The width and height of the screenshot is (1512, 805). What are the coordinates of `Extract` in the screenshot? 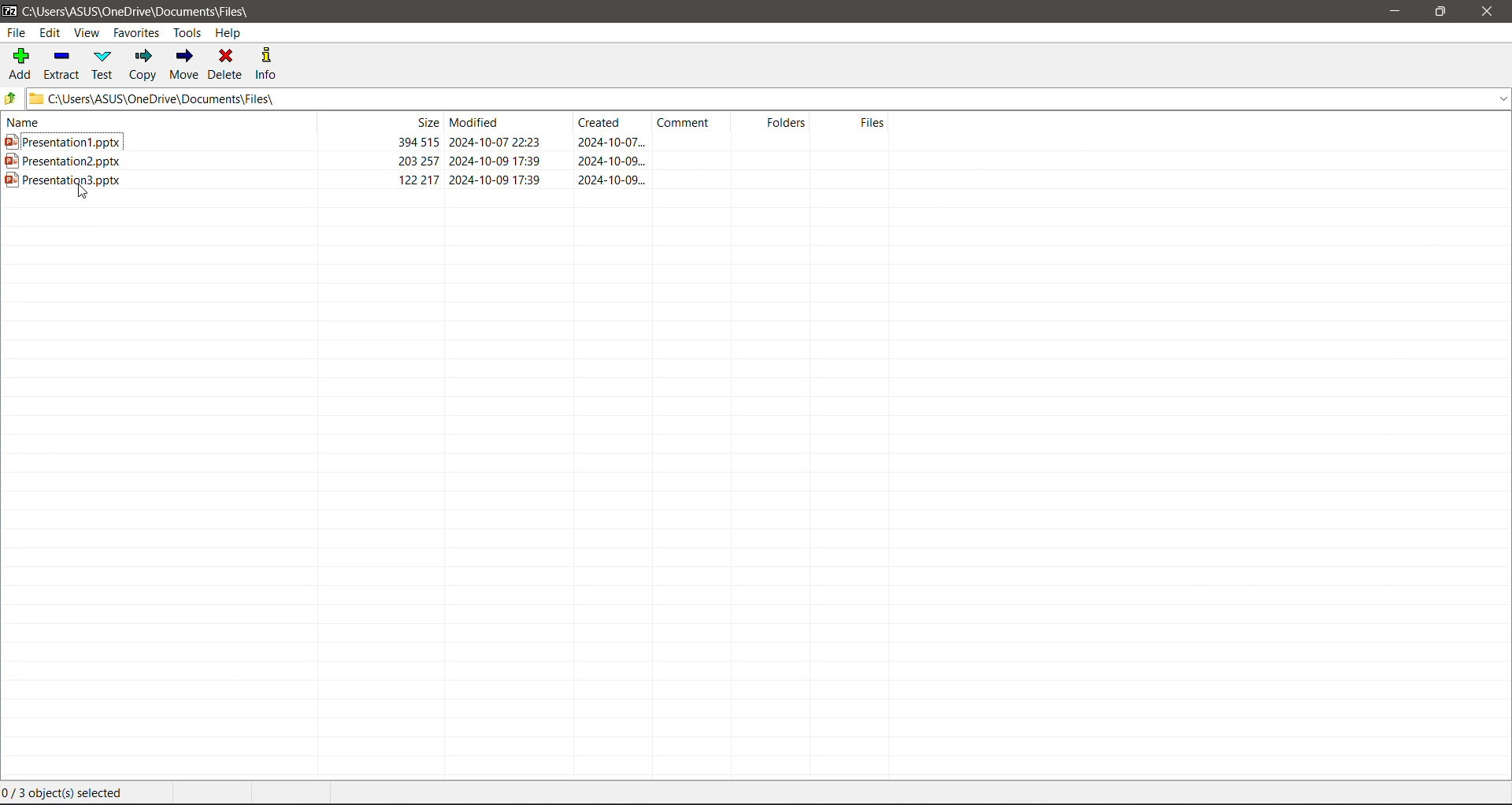 It's located at (62, 65).